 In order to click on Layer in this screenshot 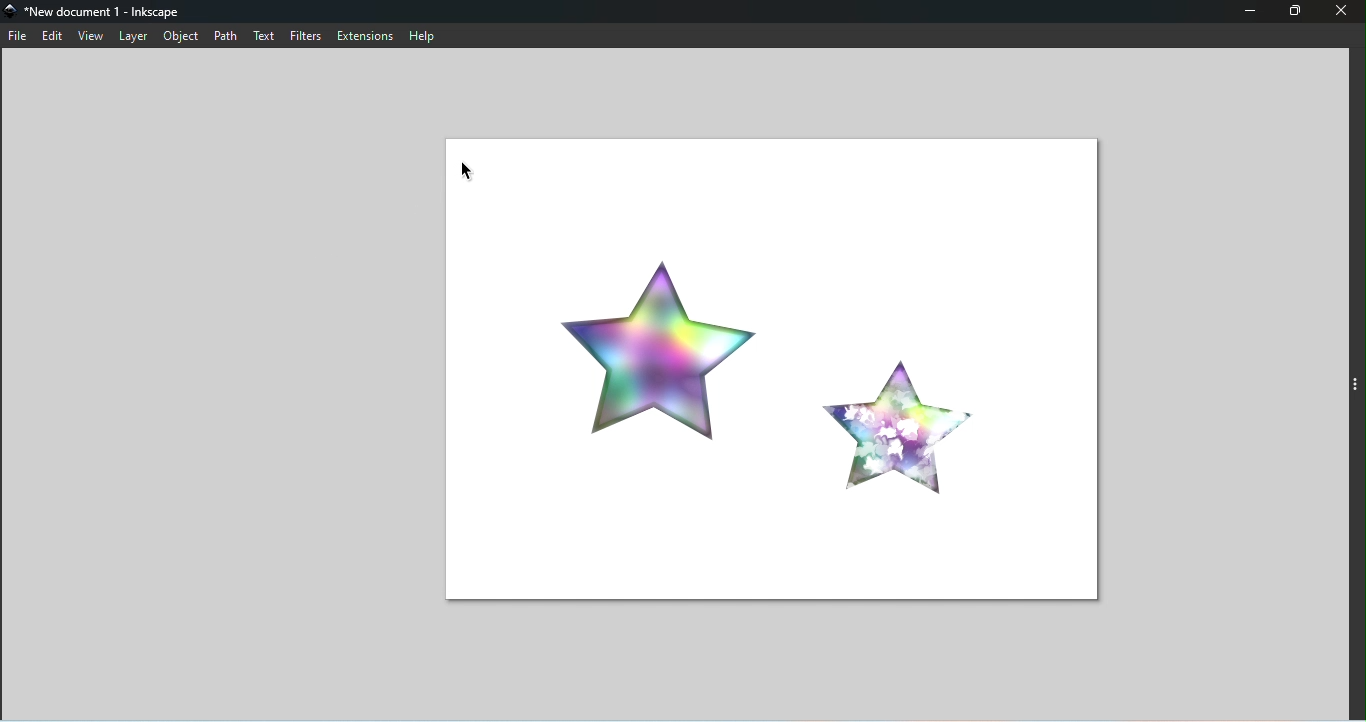, I will do `click(132, 37)`.